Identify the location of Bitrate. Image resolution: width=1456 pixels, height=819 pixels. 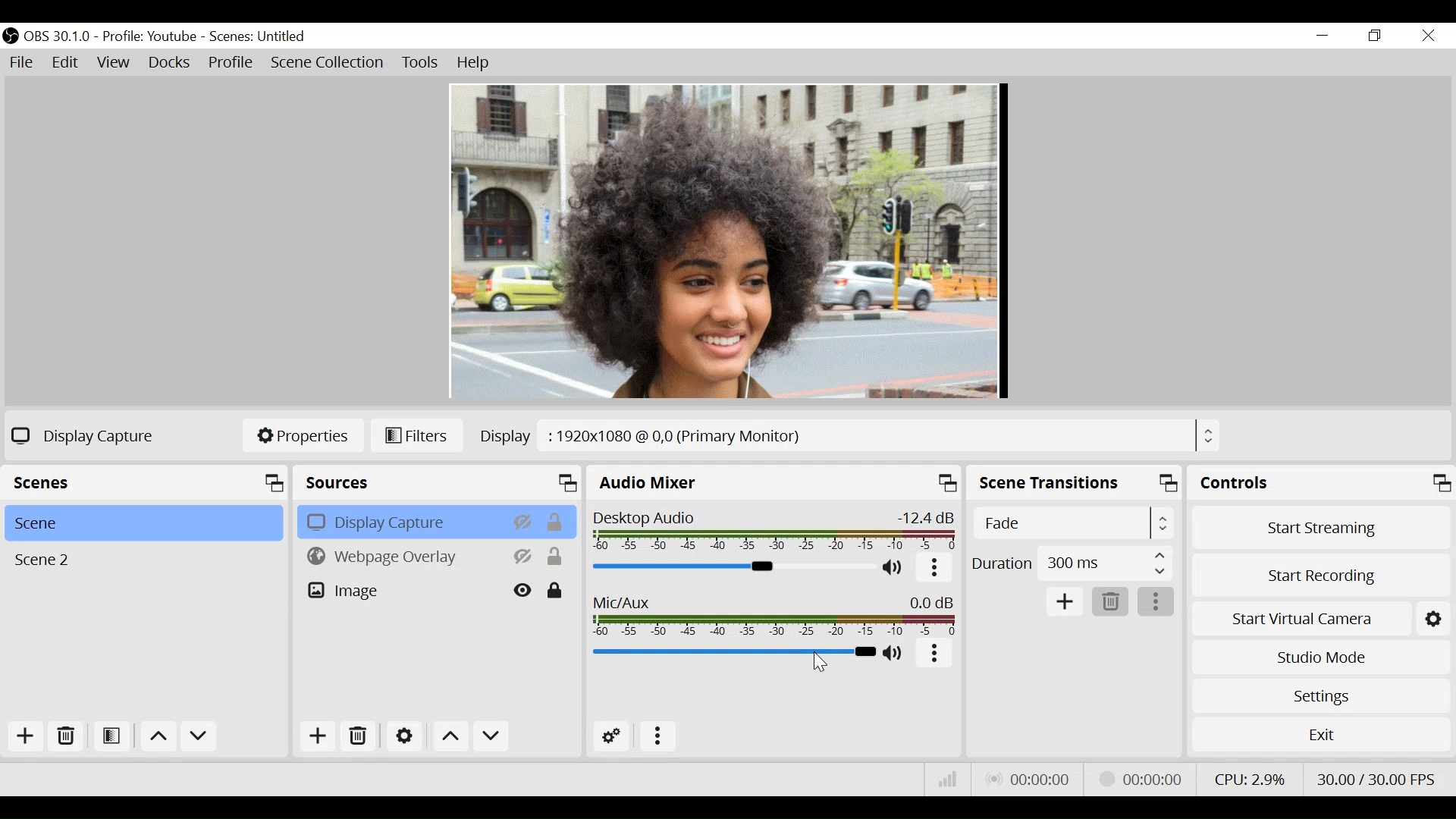
(949, 778).